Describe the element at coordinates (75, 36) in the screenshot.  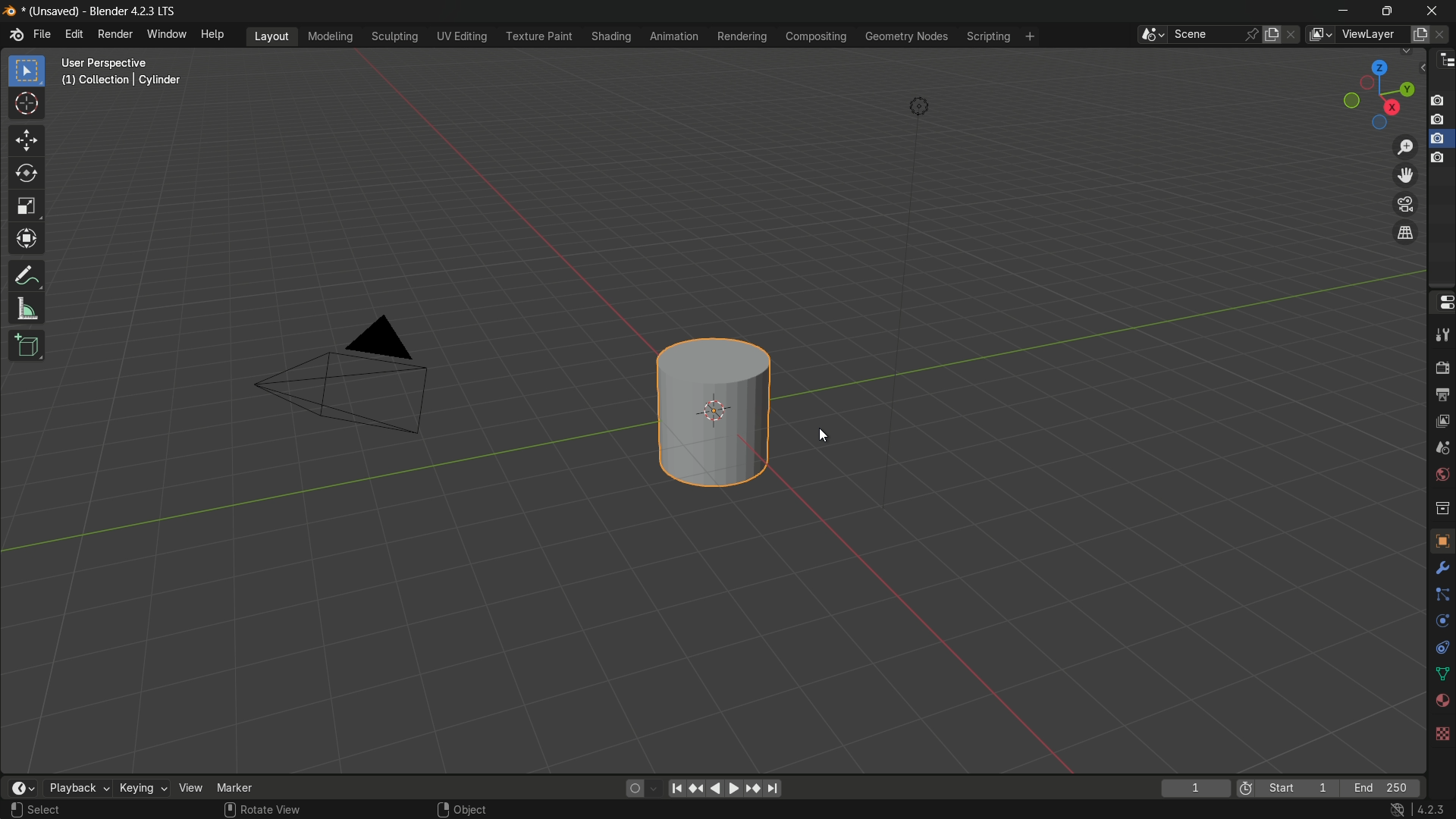
I see `edit menu` at that location.